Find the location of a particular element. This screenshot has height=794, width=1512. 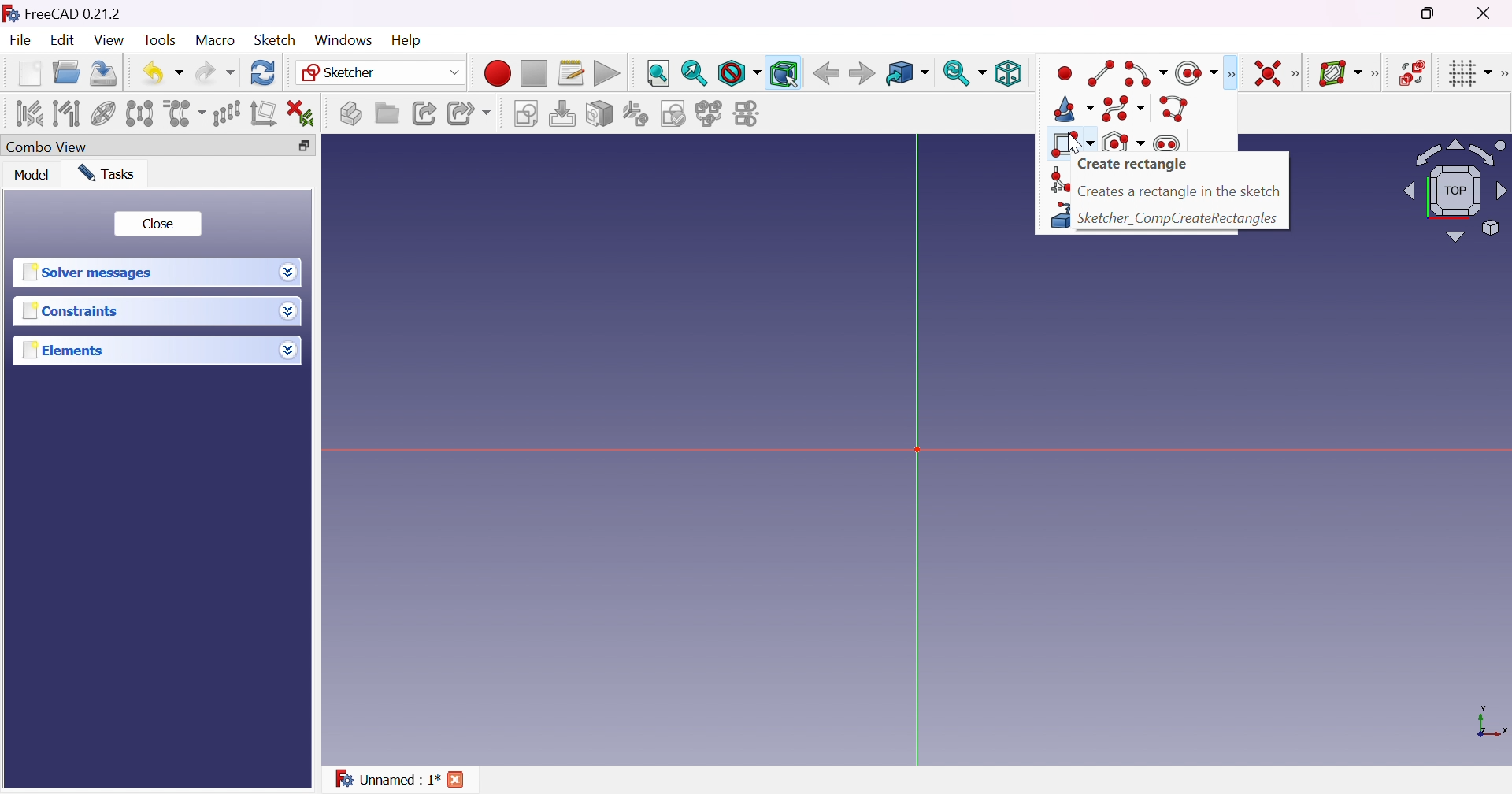

Execute macro is located at coordinates (607, 74).